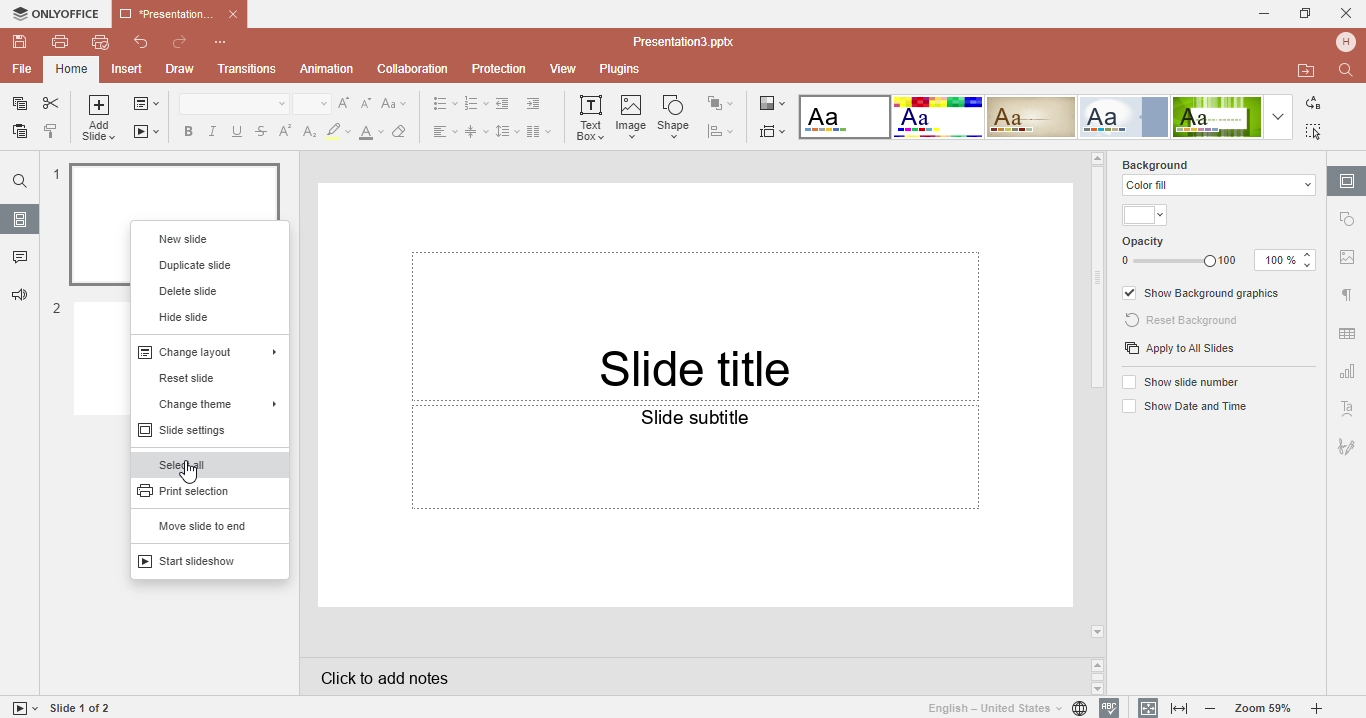 The width and height of the screenshot is (1366, 718). Describe the element at coordinates (19, 259) in the screenshot. I see `Comments` at that location.